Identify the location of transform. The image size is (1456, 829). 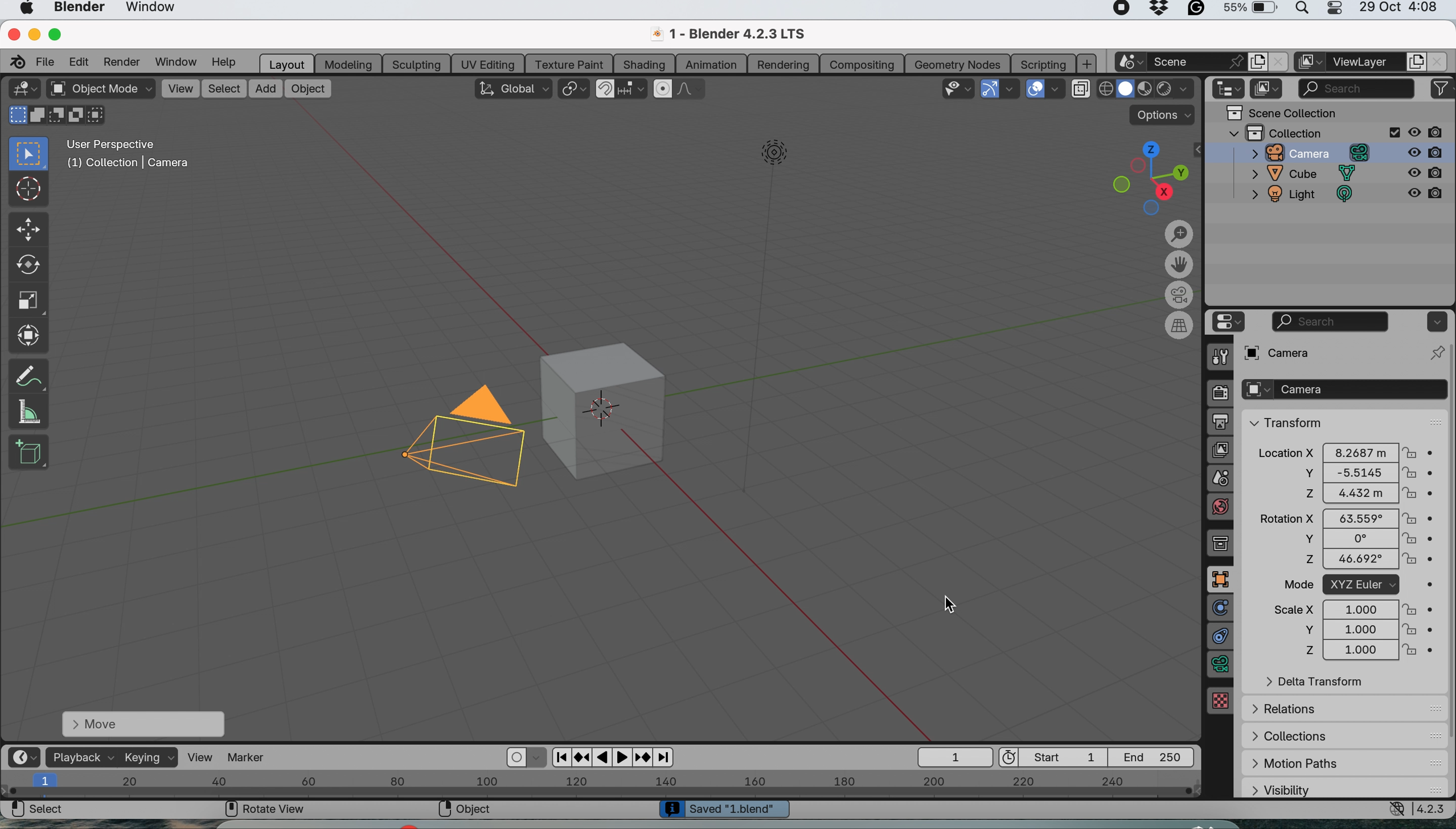
(28, 334).